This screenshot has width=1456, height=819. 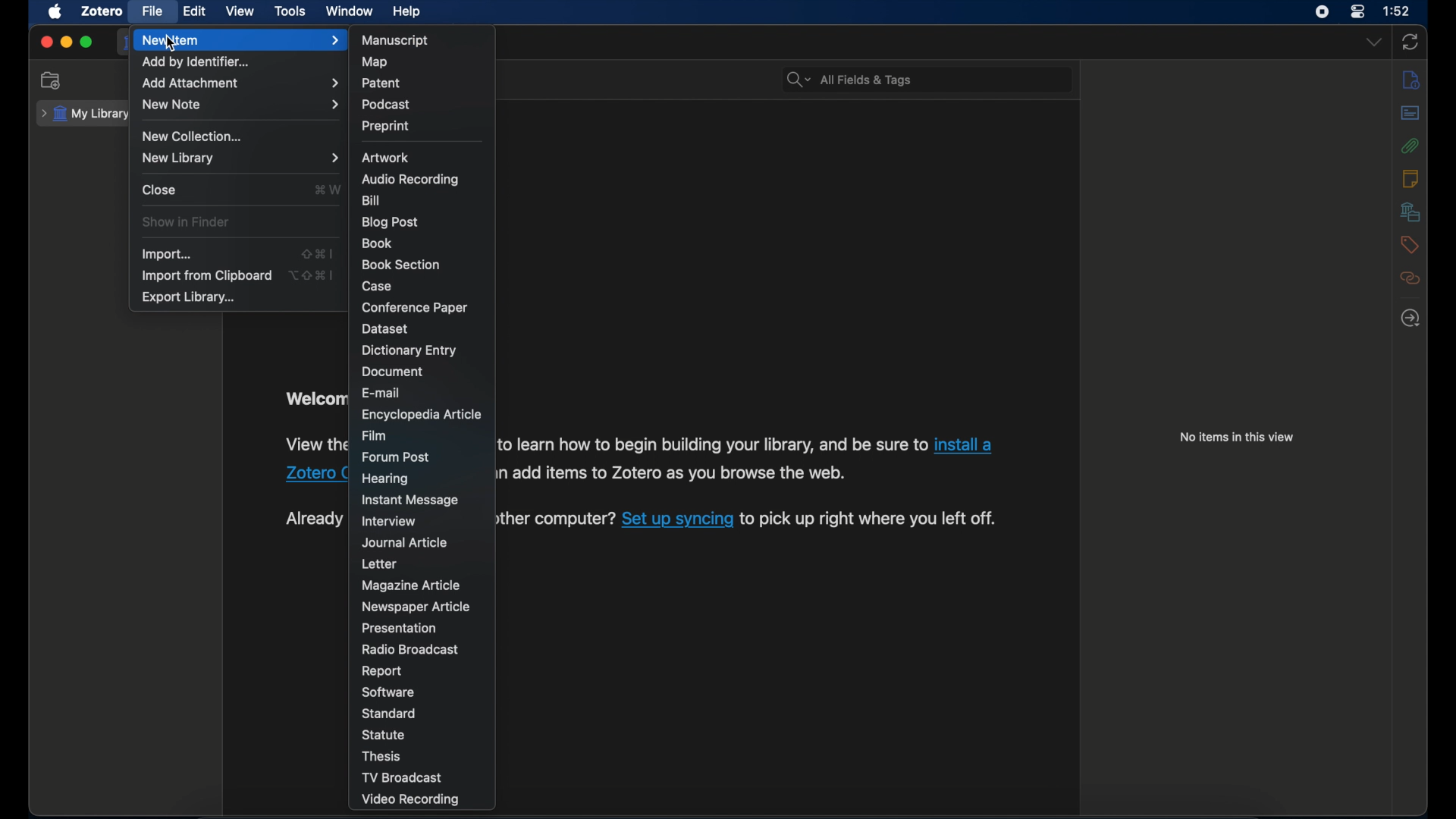 What do you see at coordinates (385, 479) in the screenshot?
I see `hearing` at bounding box center [385, 479].